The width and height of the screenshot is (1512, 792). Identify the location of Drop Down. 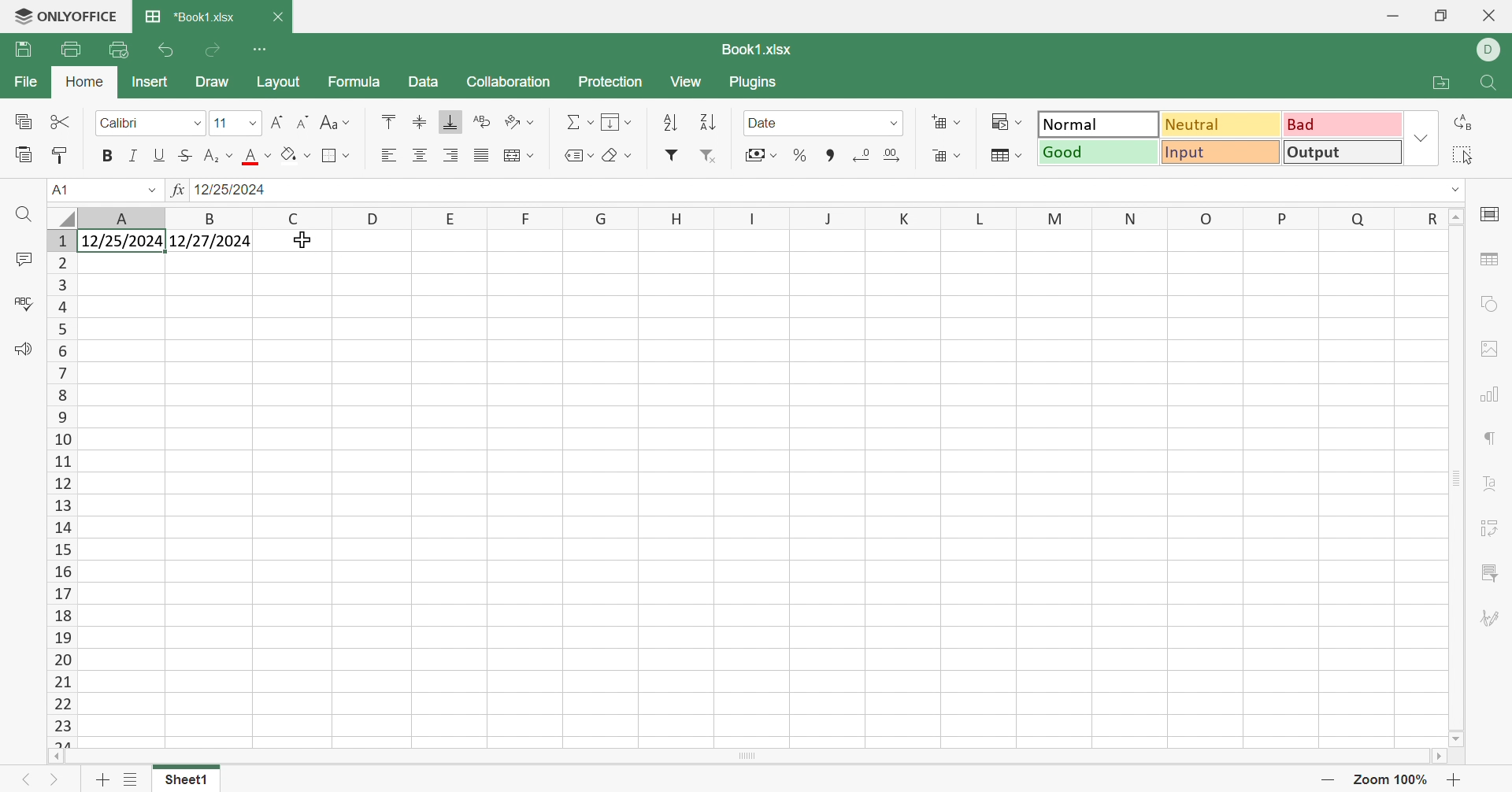
(254, 124).